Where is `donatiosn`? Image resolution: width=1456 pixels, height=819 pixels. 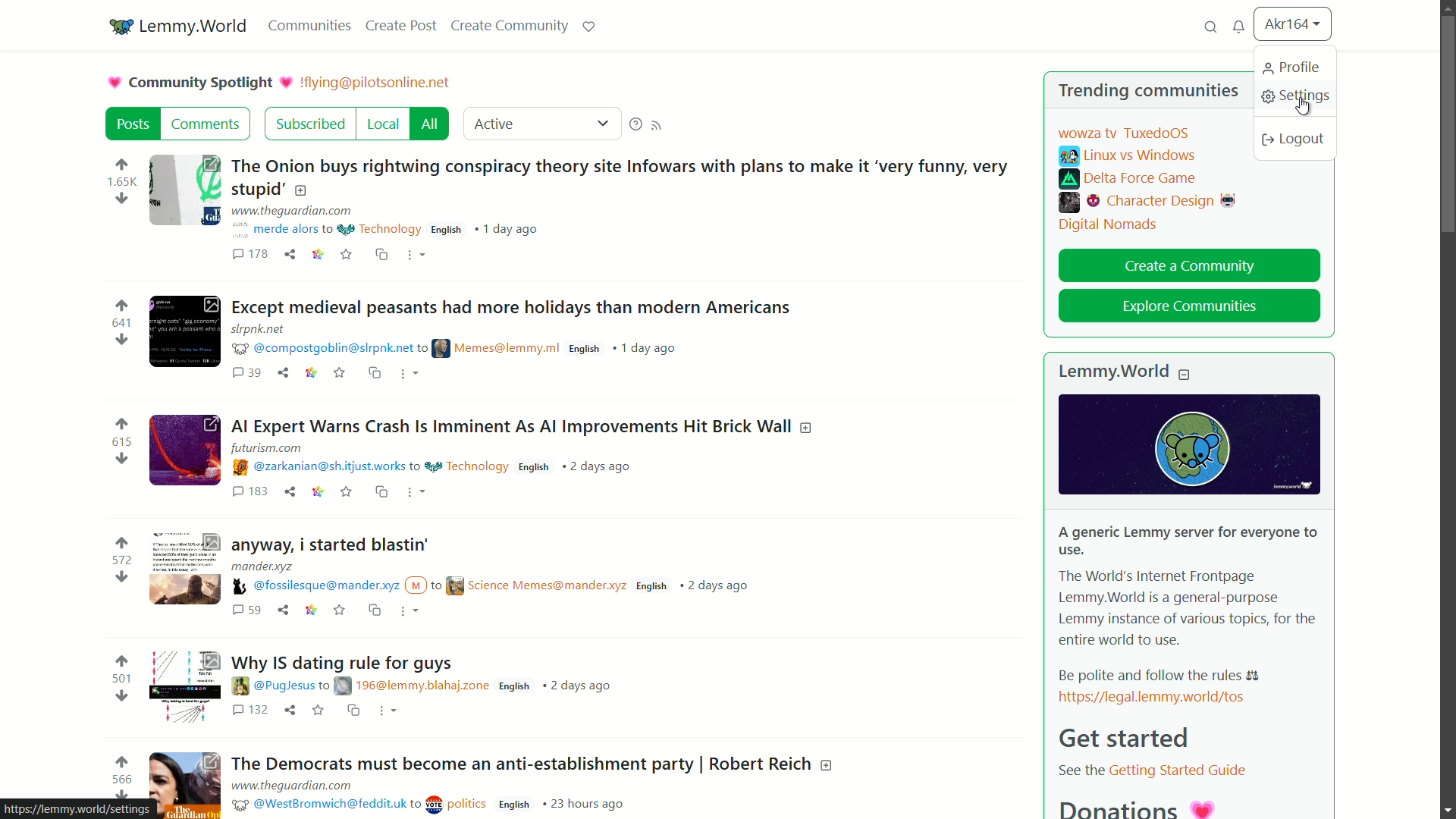
donatiosn is located at coordinates (1133, 806).